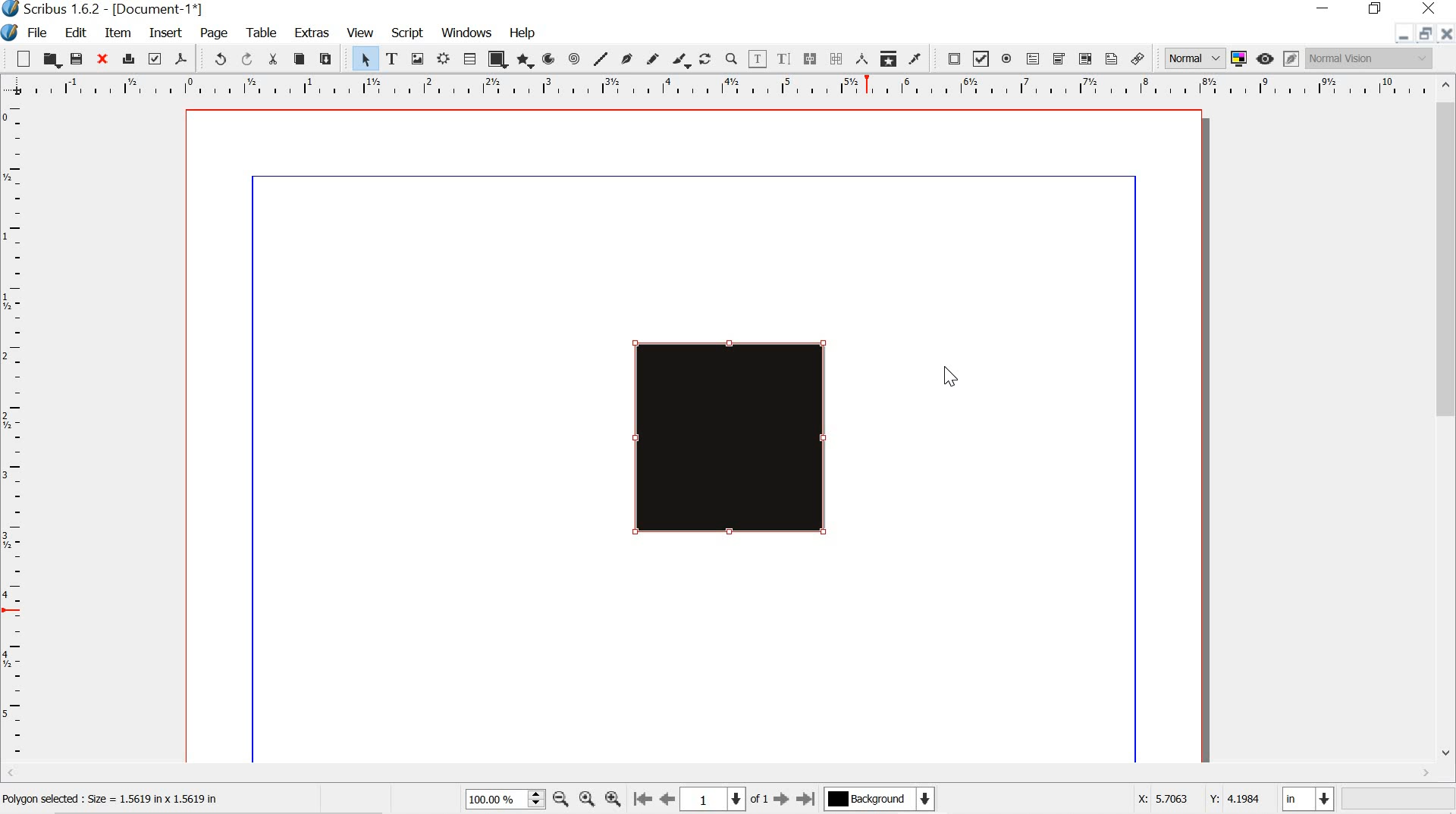 This screenshot has width=1456, height=814. Describe the element at coordinates (806, 800) in the screenshot. I see `go to last page` at that location.